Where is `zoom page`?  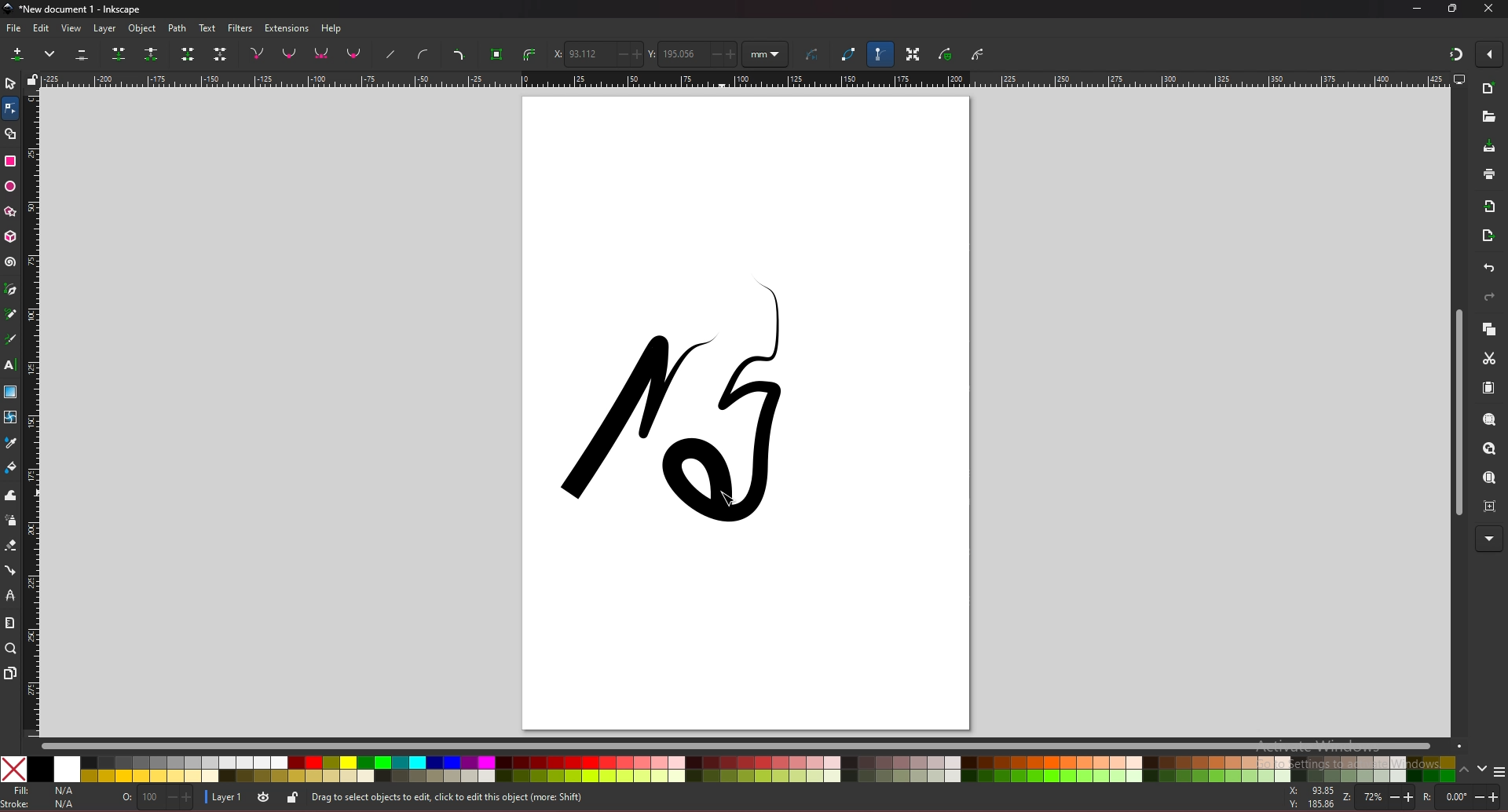
zoom page is located at coordinates (1490, 477).